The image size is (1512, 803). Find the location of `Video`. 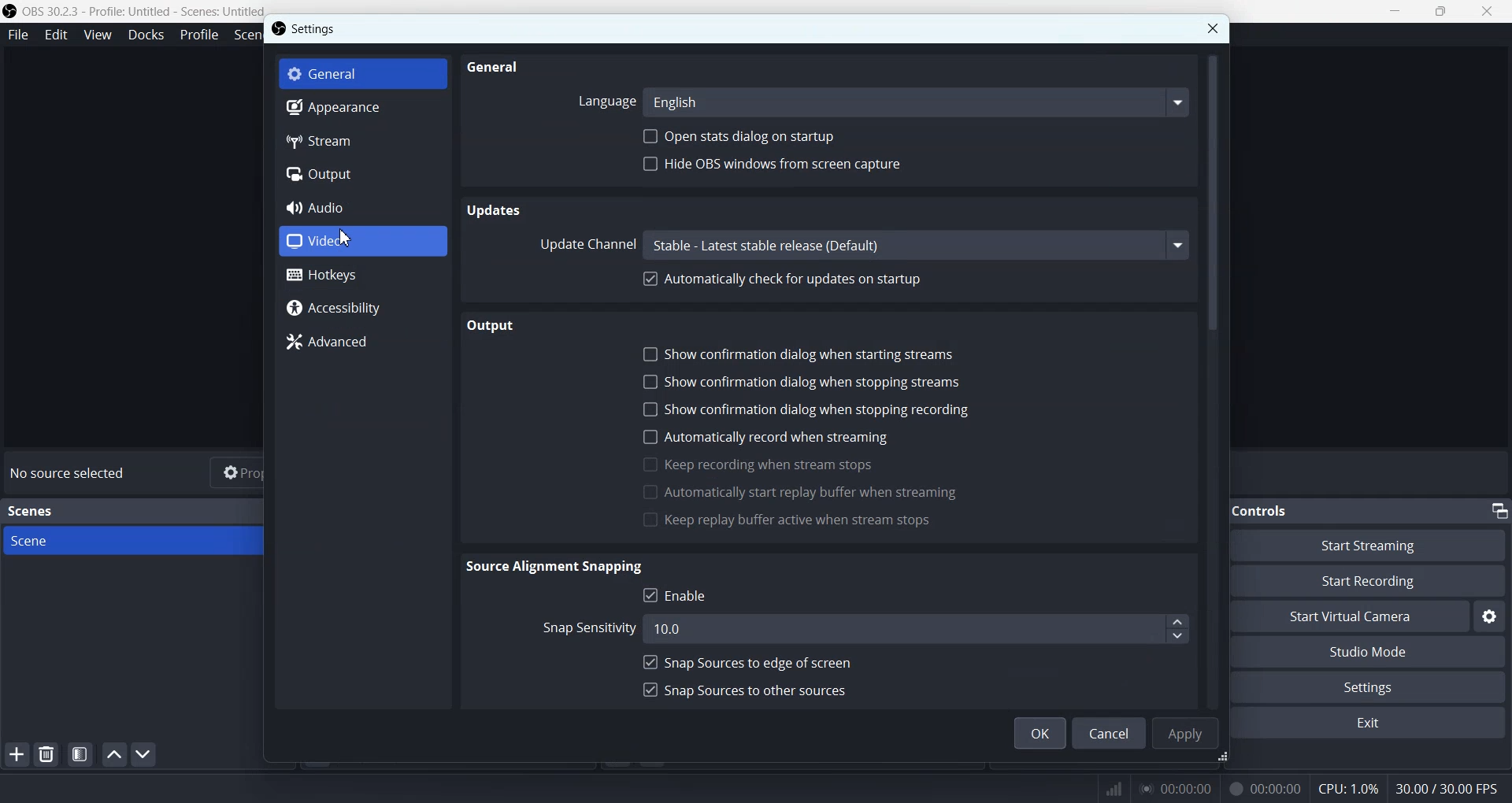

Video is located at coordinates (362, 241).